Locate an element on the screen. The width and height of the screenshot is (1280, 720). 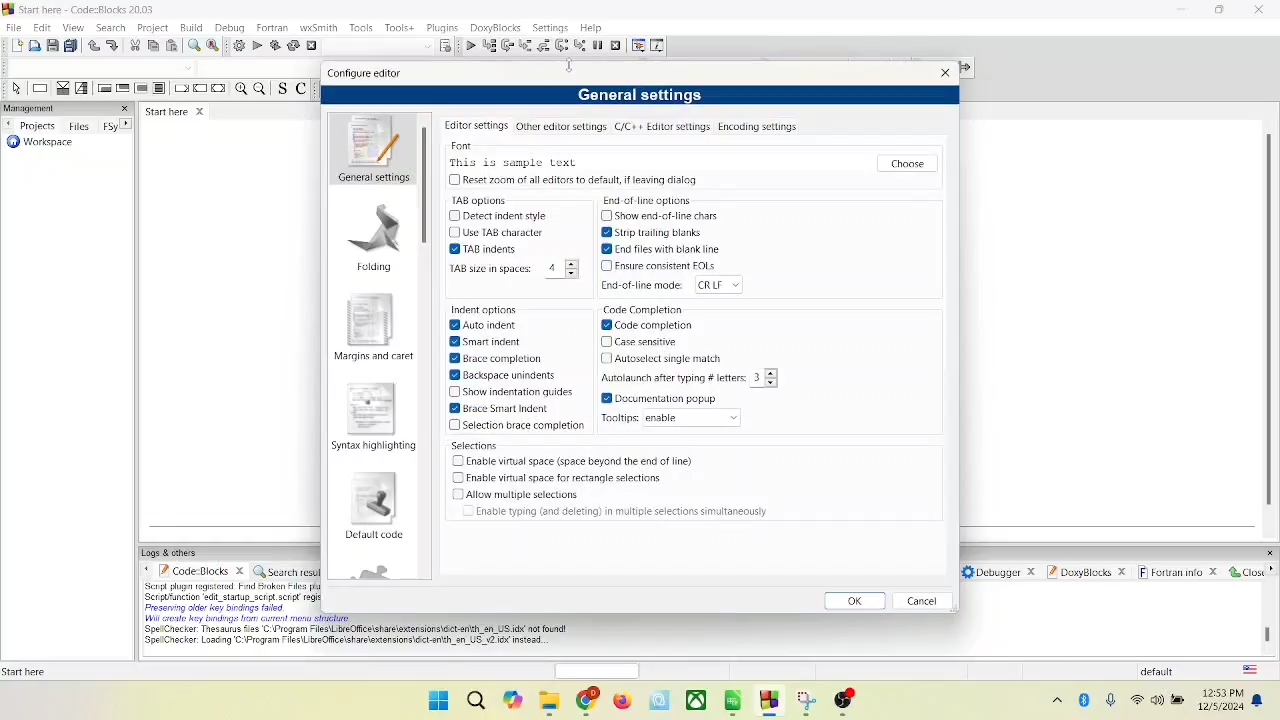
files is located at coordinates (79, 126).